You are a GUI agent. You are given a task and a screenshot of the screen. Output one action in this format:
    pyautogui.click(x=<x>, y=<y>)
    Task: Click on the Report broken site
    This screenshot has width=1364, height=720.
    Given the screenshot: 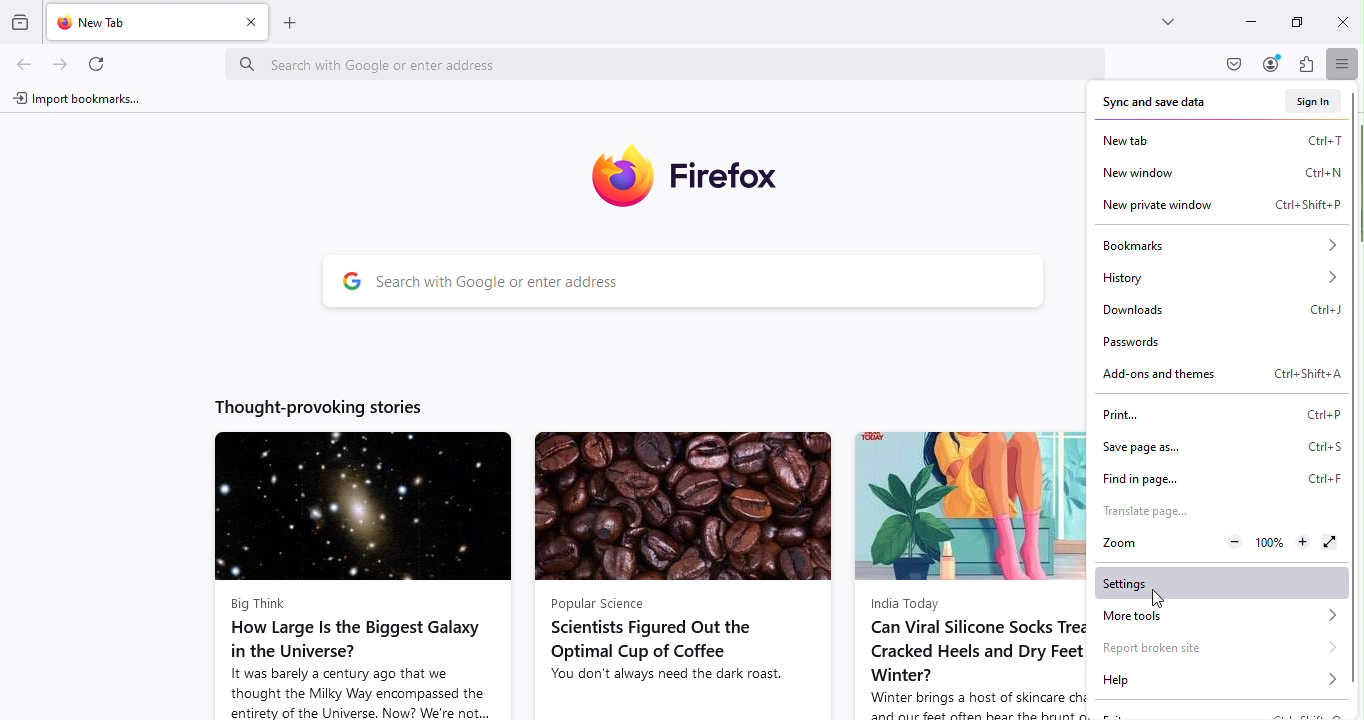 What is the action you would take?
    pyautogui.click(x=1221, y=645)
    